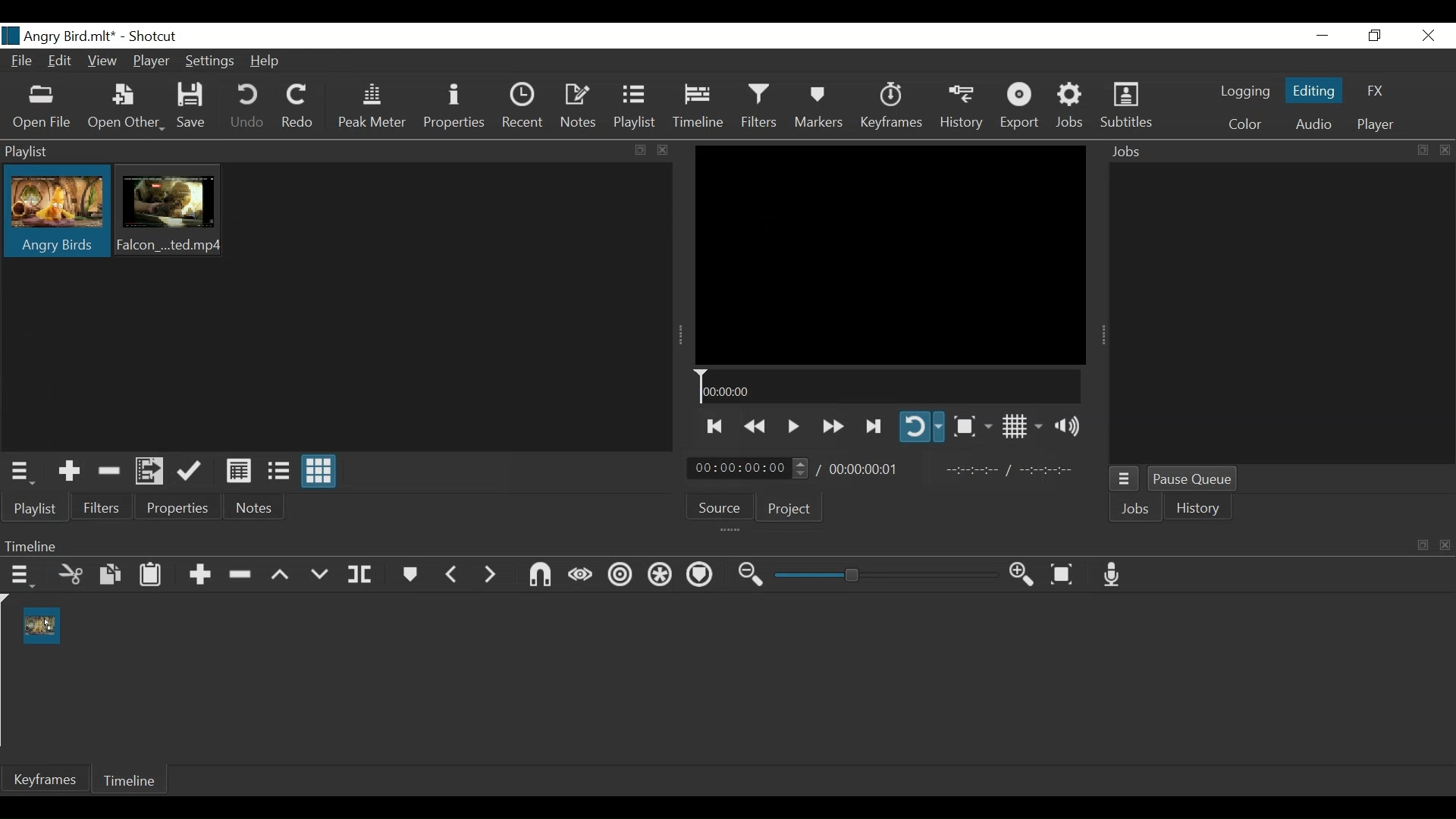 This screenshot has width=1456, height=819. Describe the element at coordinates (891, 107) in the screenshot. I see `Keyframes` at that location.